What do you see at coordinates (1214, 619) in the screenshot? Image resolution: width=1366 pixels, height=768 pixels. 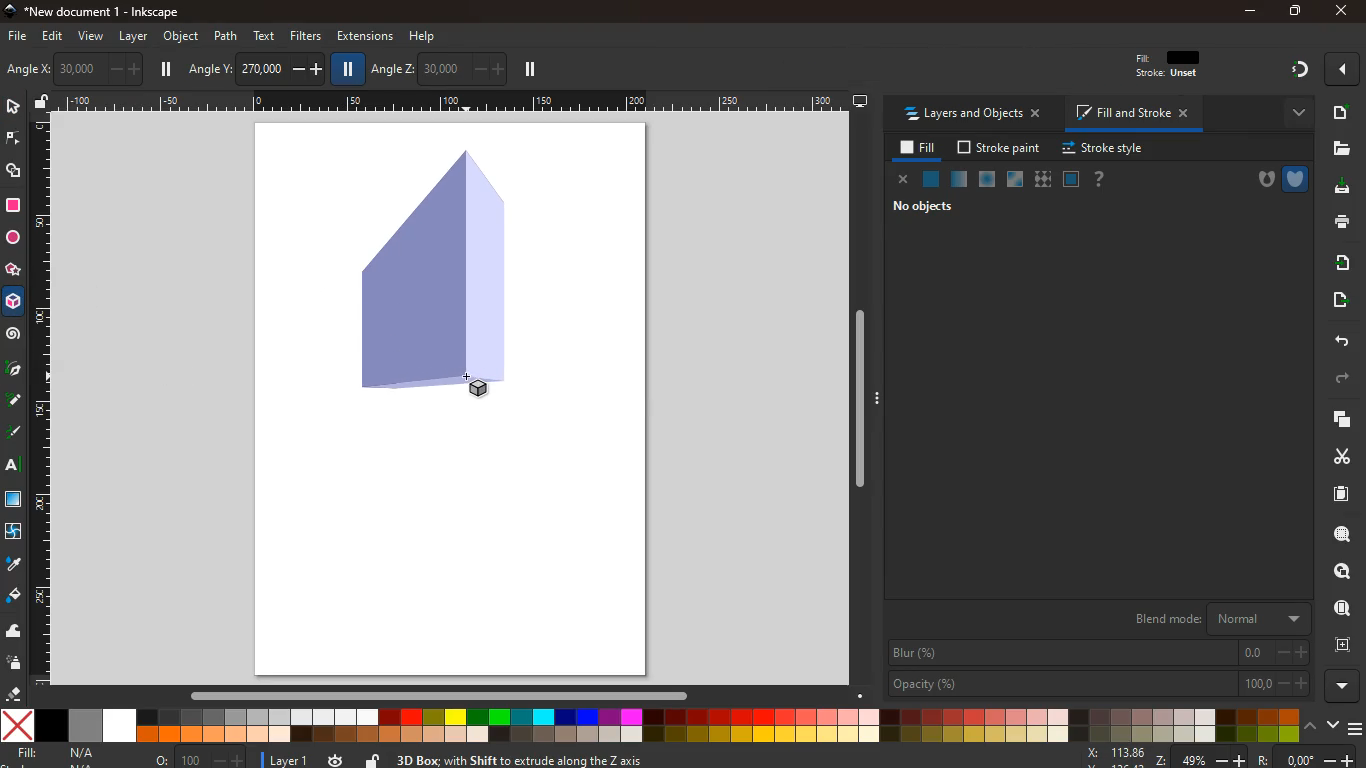 I see `blend mode` at bounding box center [1214, 619].